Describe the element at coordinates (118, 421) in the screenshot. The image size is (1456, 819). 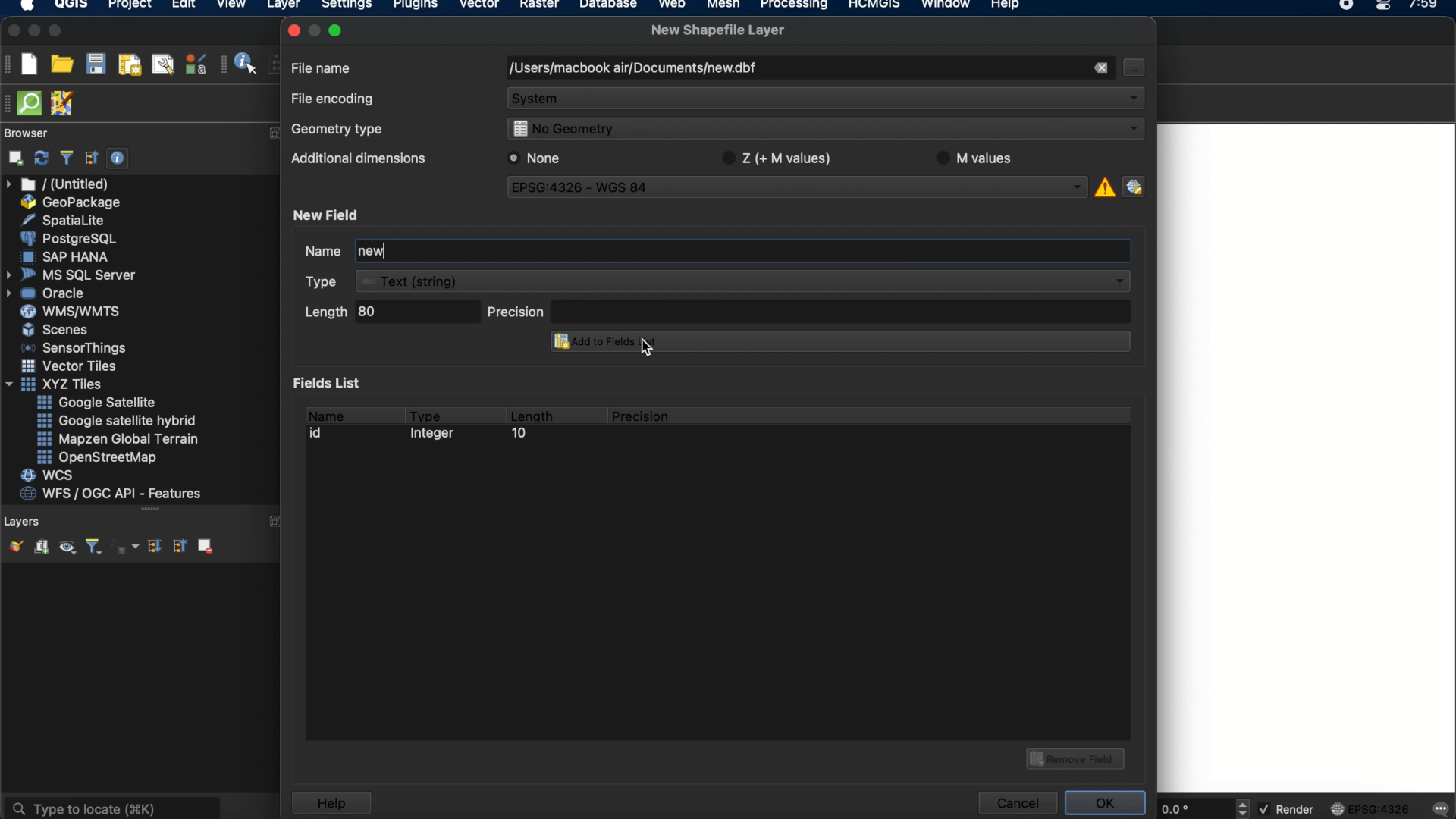
I see `google satellite hybrid` at that location.